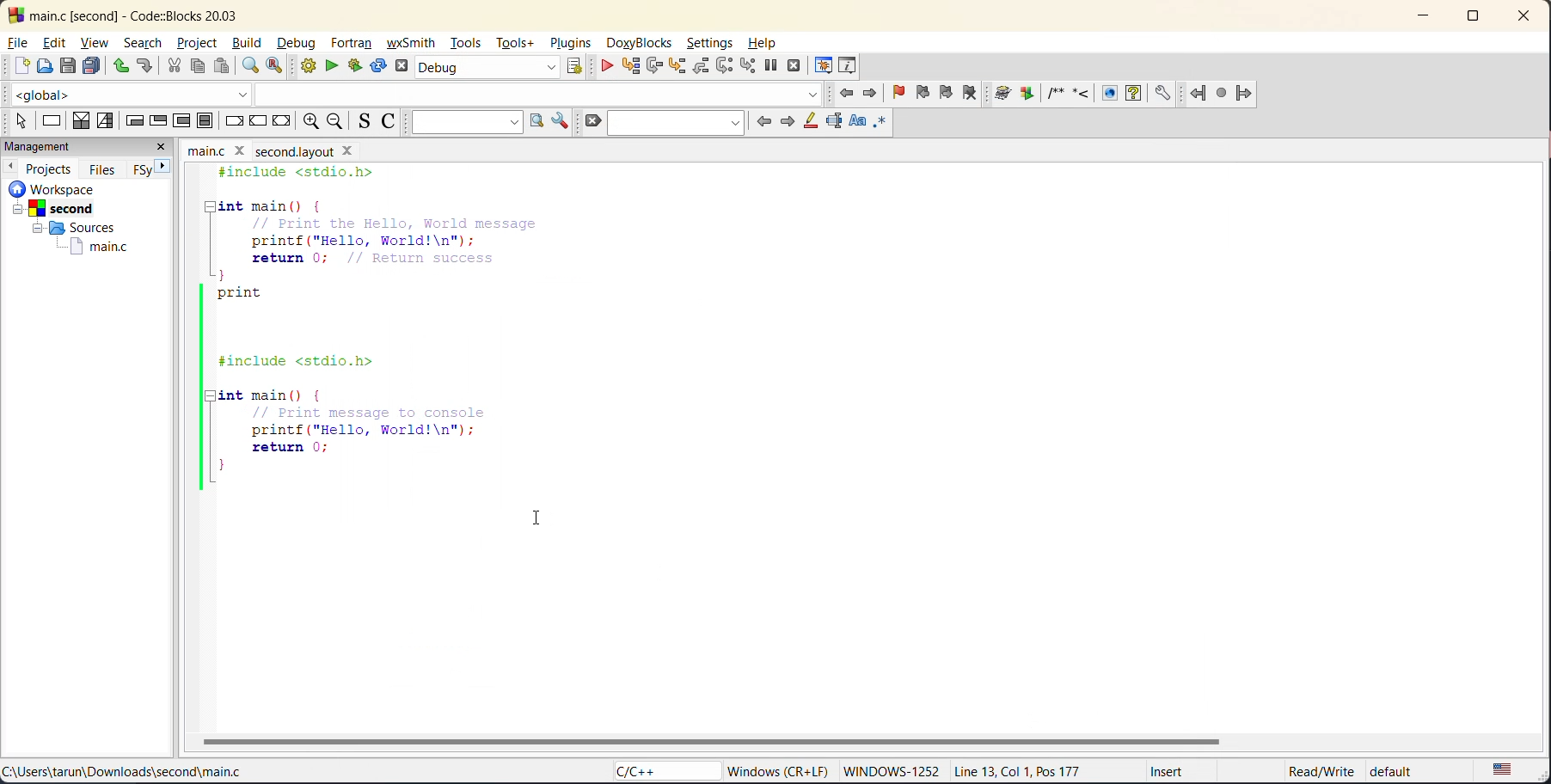 The image size is (1551, 784). What do you see at coordinates (891, 772) in the screenshot?
I see `windows-1252` at bounding box center [891, 772].